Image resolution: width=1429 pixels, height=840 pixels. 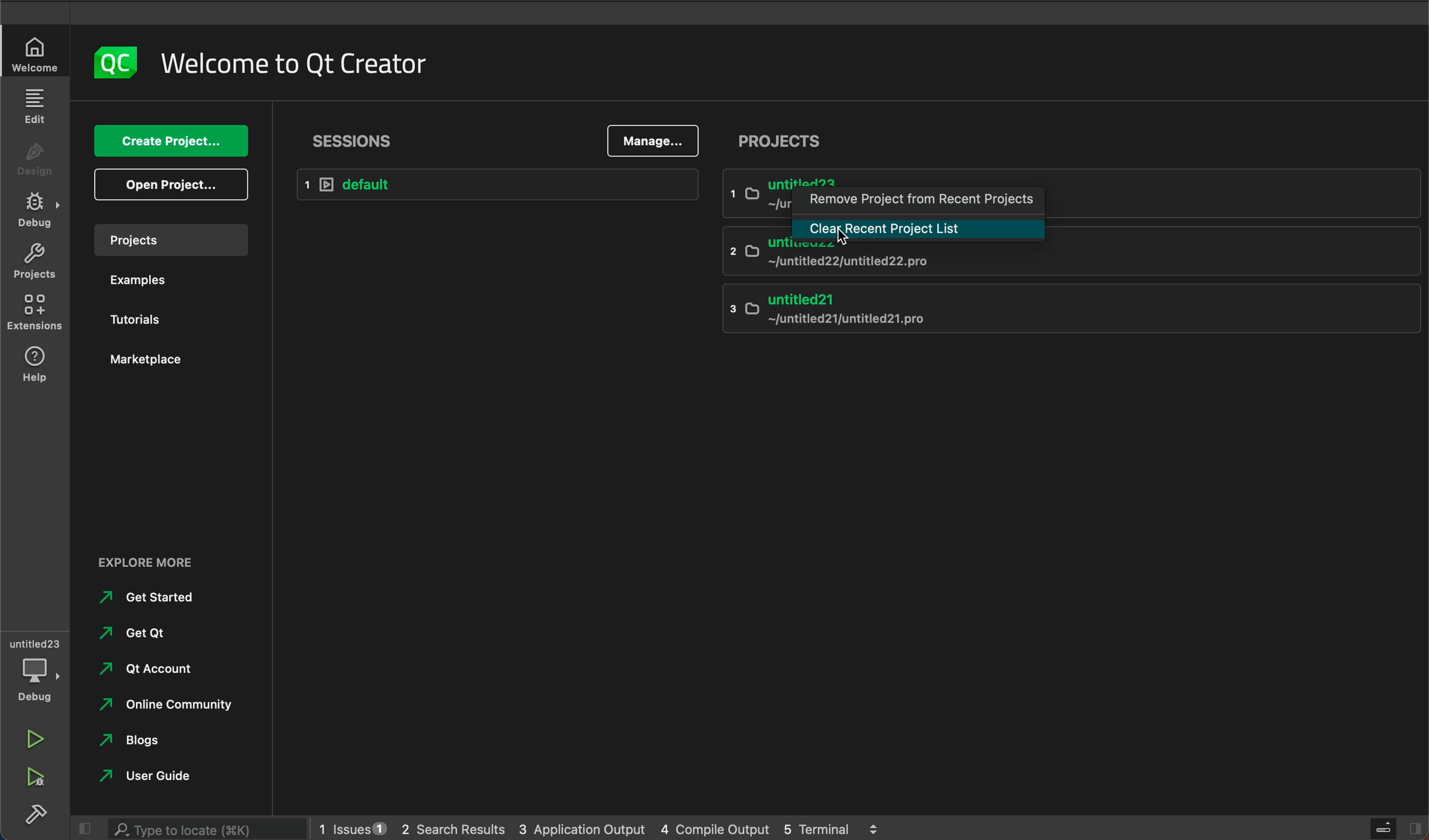 I want to click on logo, so click(x=116, y=64).